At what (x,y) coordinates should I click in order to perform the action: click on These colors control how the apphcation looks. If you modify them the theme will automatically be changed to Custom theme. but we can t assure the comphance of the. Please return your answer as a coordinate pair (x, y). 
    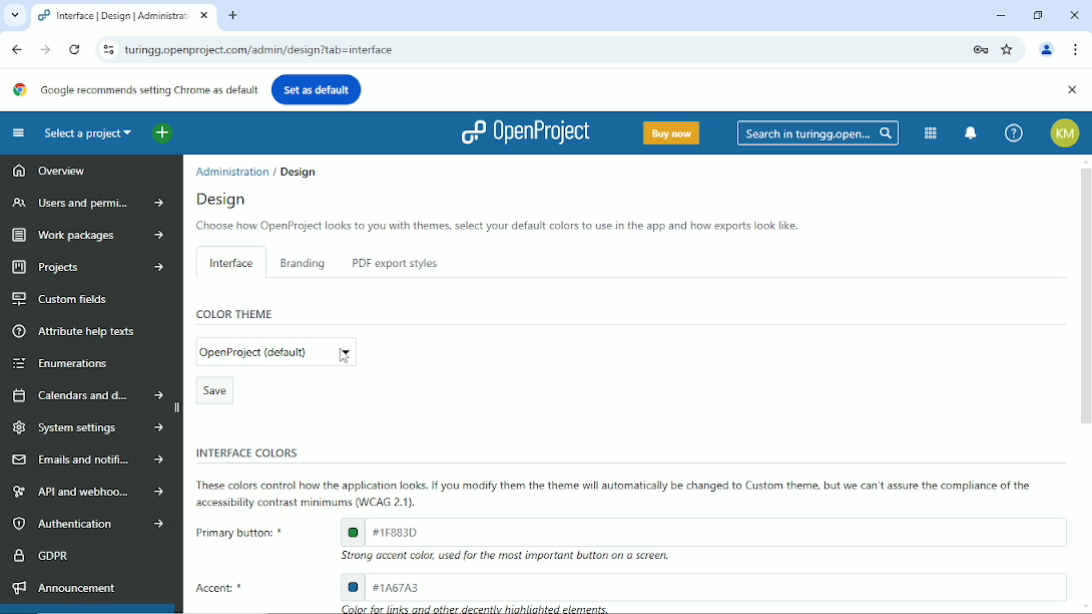
    Looking at the image, I should click on (618, 485).